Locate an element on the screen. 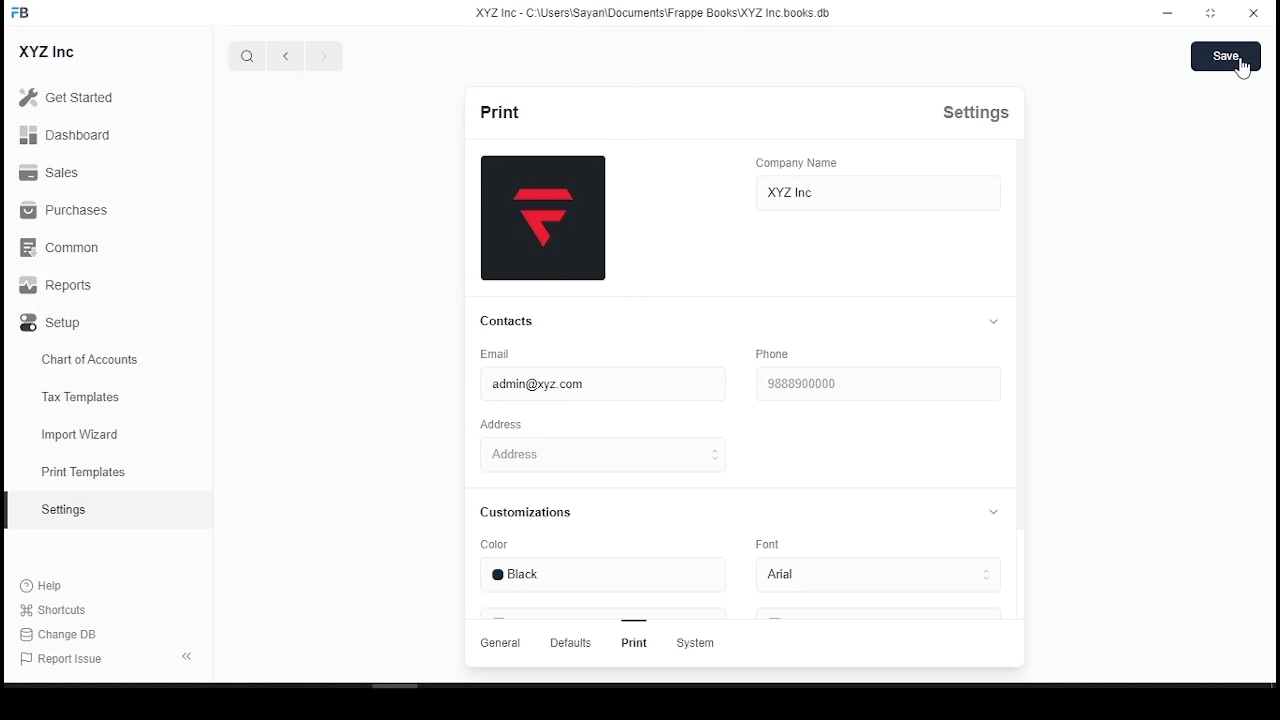  chart of accountes is located at coordinates (95, 360).